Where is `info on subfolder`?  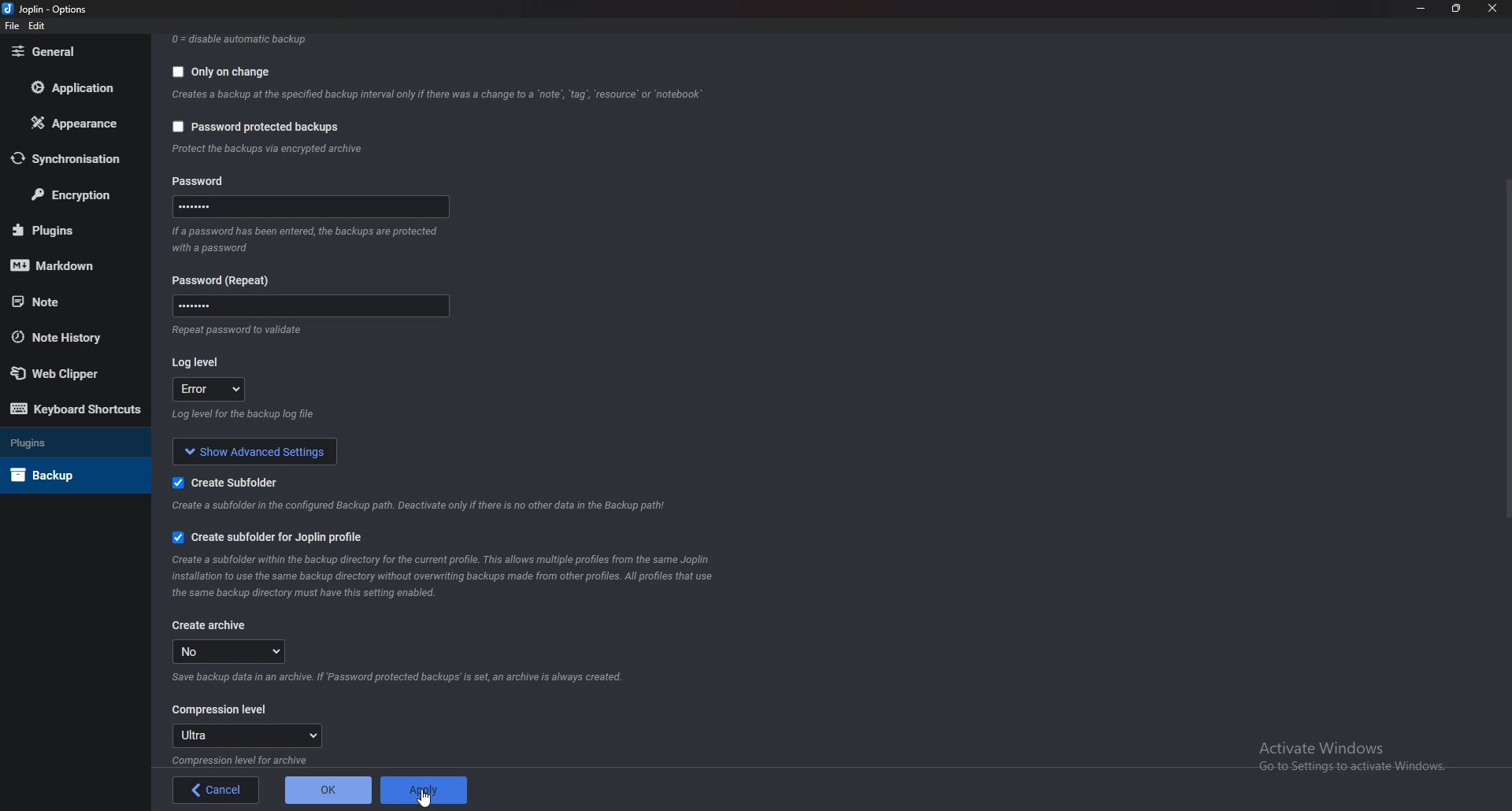
info on subfolder is located at coordinates (424, 505).